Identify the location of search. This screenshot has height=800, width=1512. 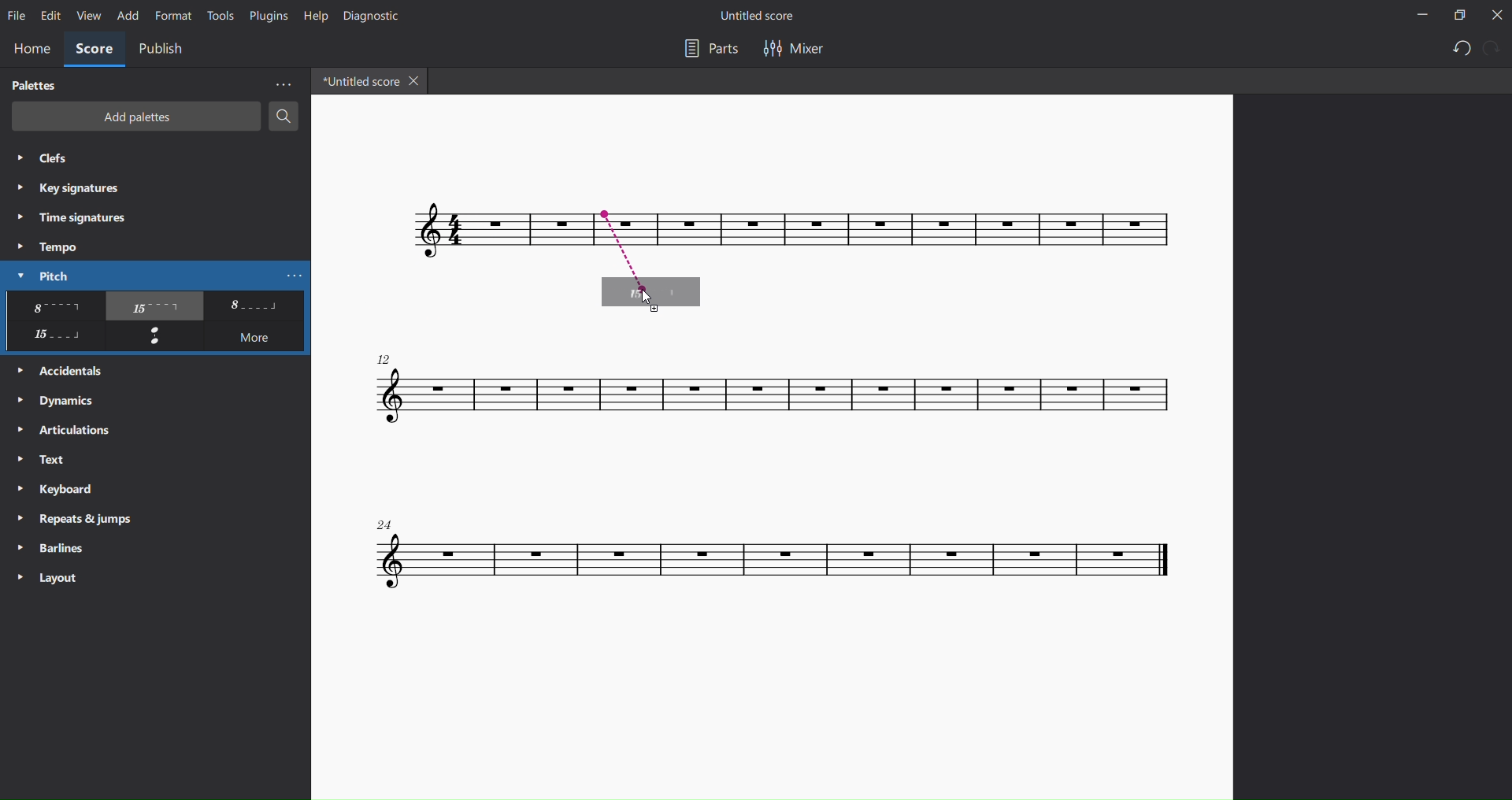
(284, 117).